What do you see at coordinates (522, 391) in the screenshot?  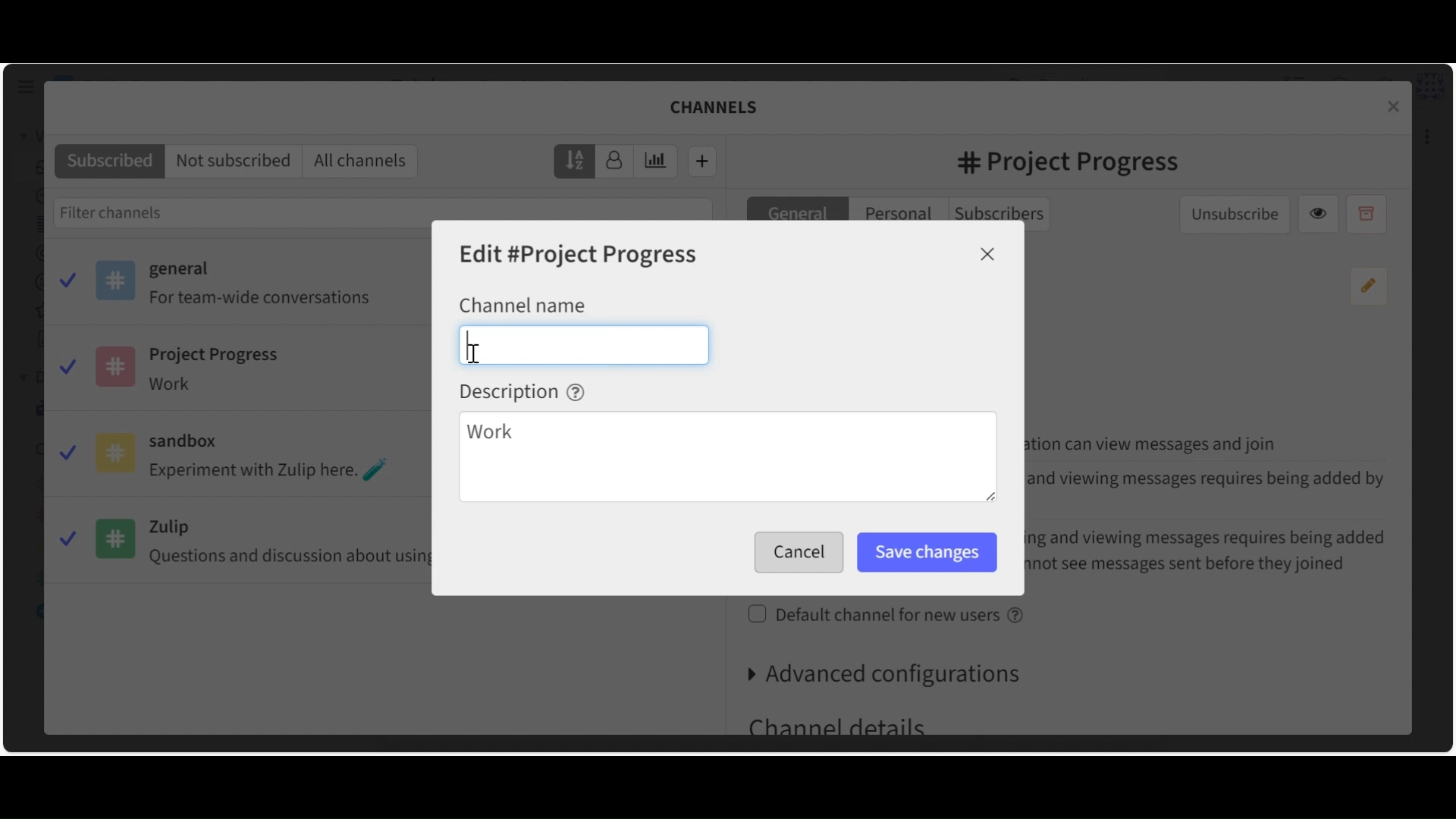 I see `Description` at bounding box center [522, 391].